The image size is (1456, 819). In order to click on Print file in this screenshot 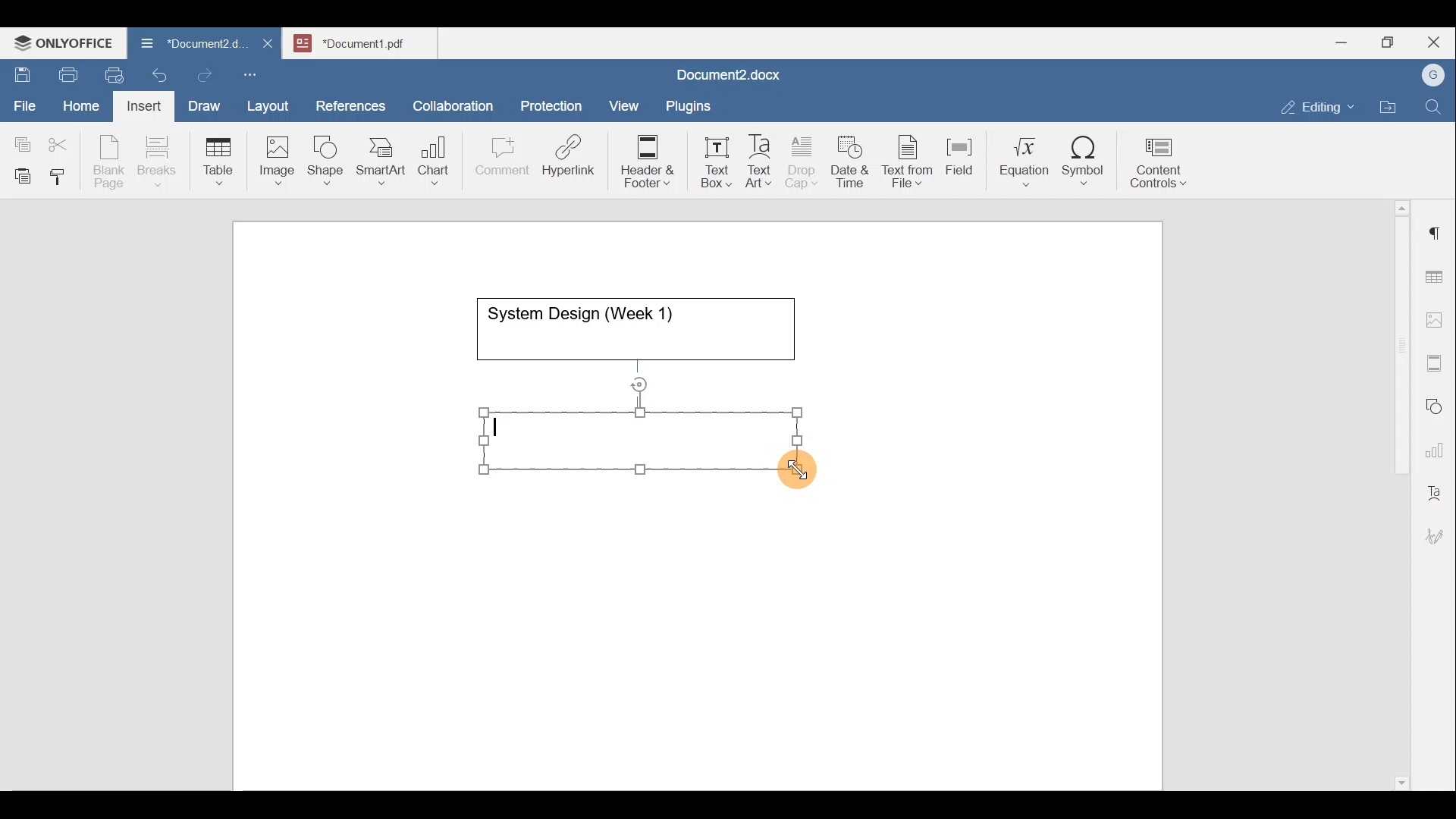, I will do `click(65, 72)`.